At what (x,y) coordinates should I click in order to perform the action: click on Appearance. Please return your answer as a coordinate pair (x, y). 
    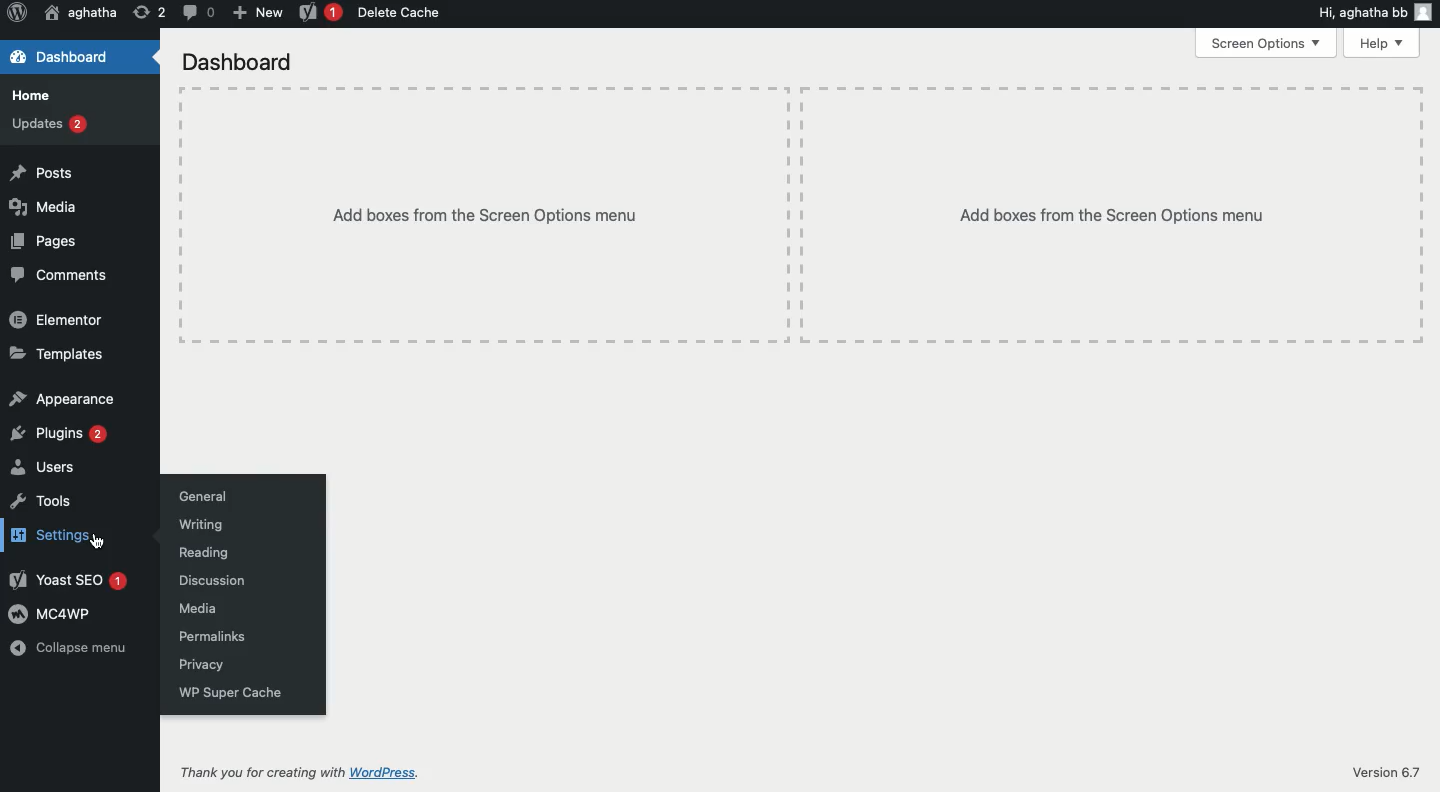
    Looking at the image, I should click on (62, 399).